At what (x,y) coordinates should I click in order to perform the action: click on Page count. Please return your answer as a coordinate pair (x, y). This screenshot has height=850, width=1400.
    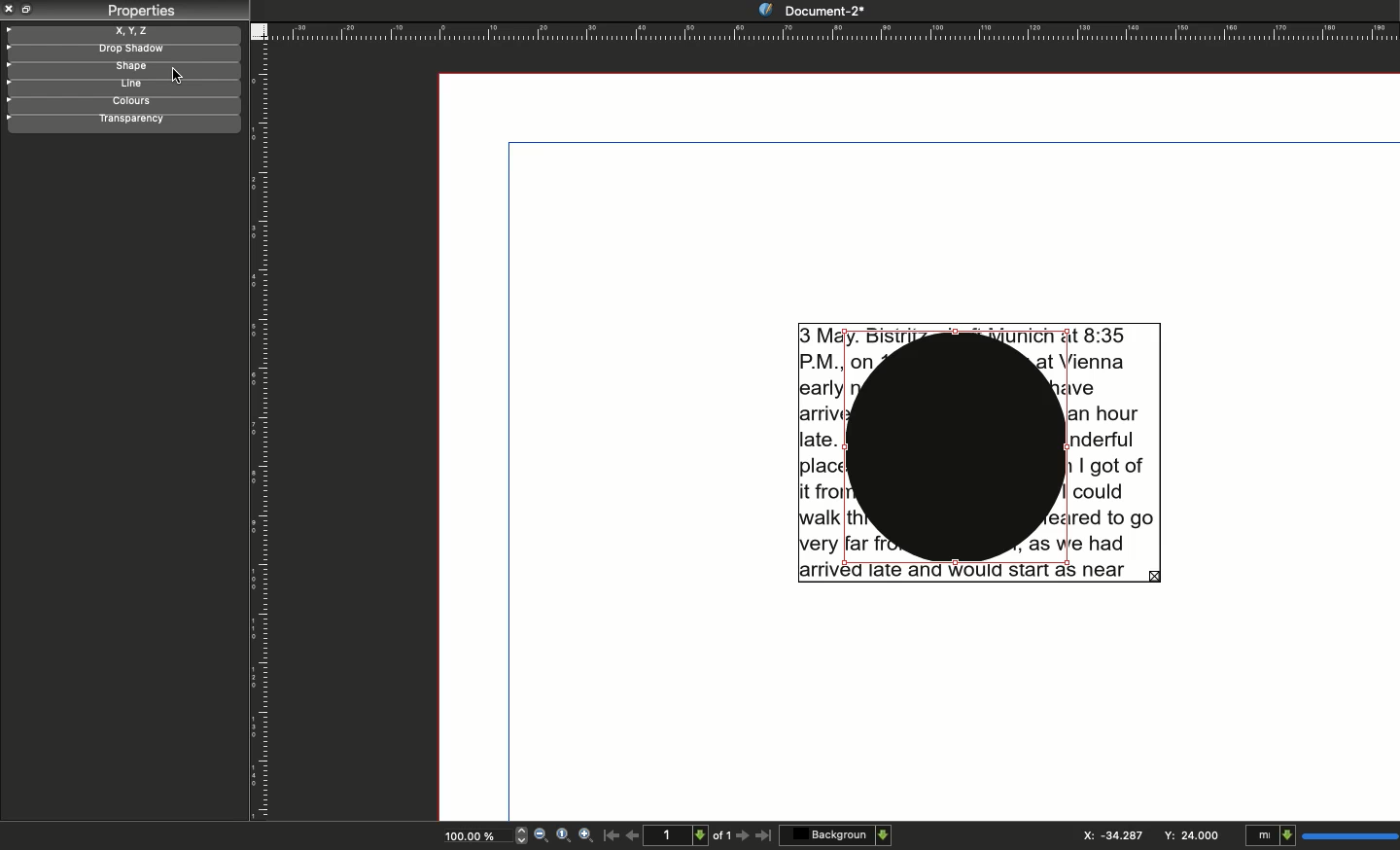
    Looking at the image, I should click on (689, 834).